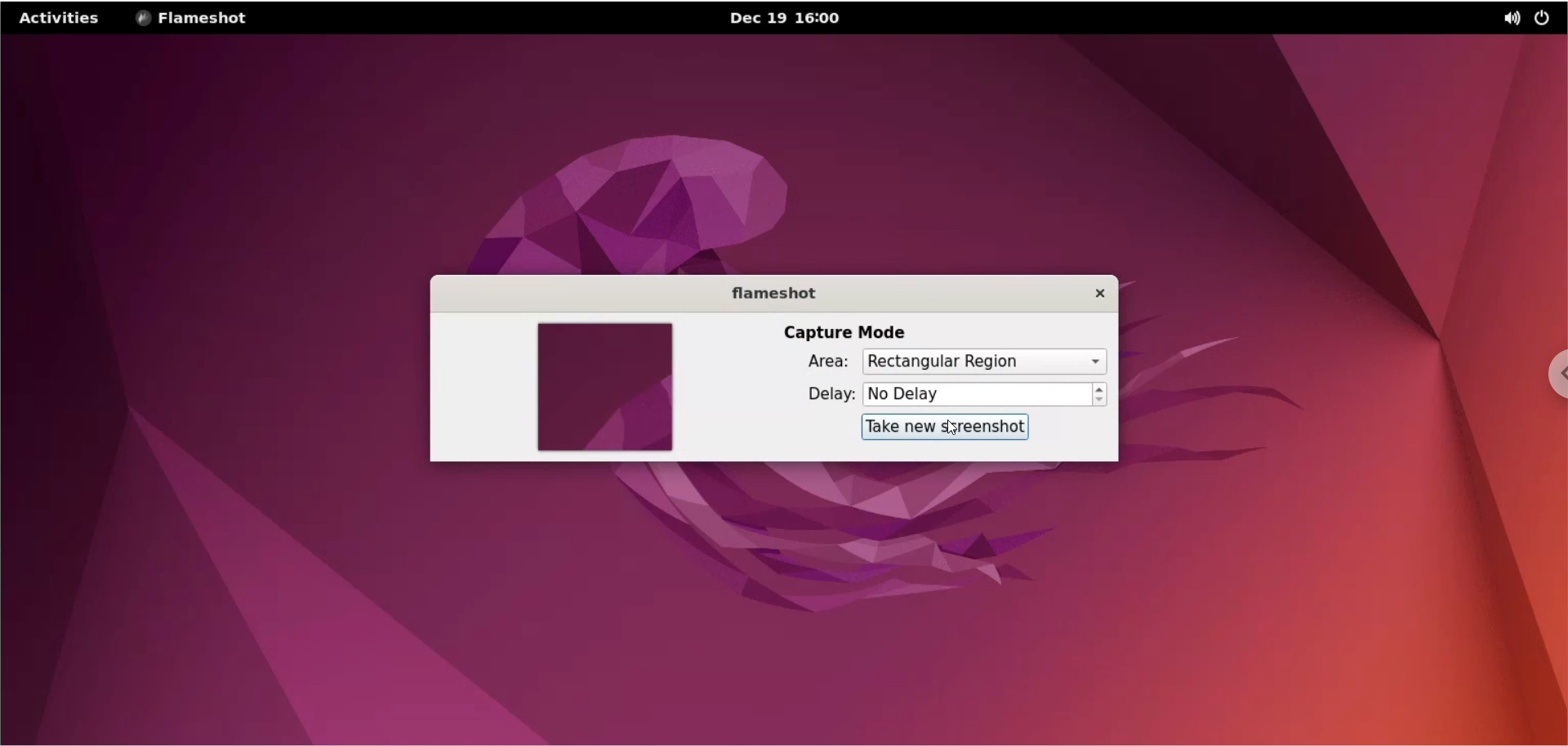  Describe the element at coordinates (978, 394) in the screenshot. I see `delay options` at that location.